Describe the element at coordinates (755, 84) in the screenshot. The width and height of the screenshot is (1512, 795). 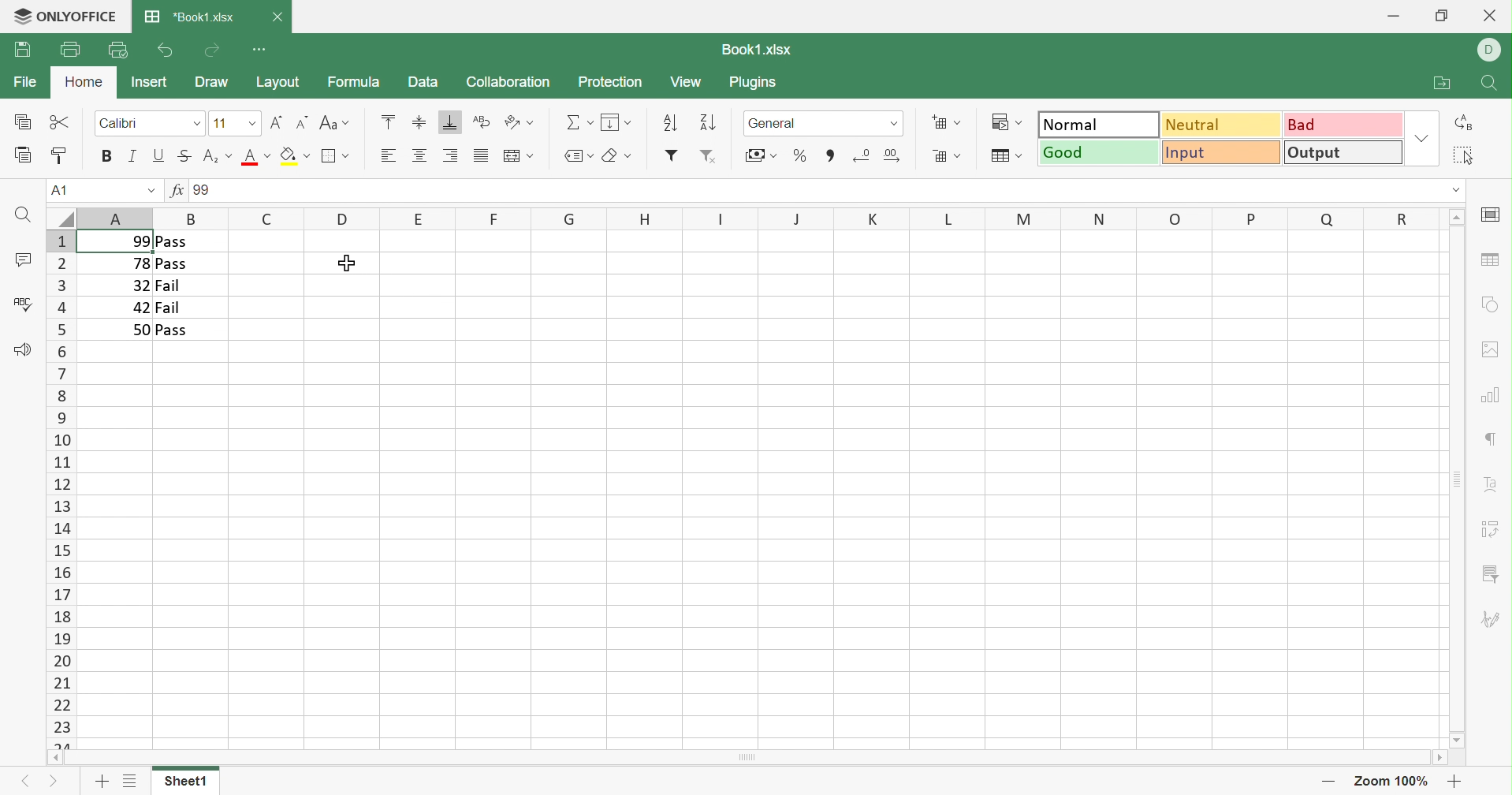
I see `Plugins` at that location.